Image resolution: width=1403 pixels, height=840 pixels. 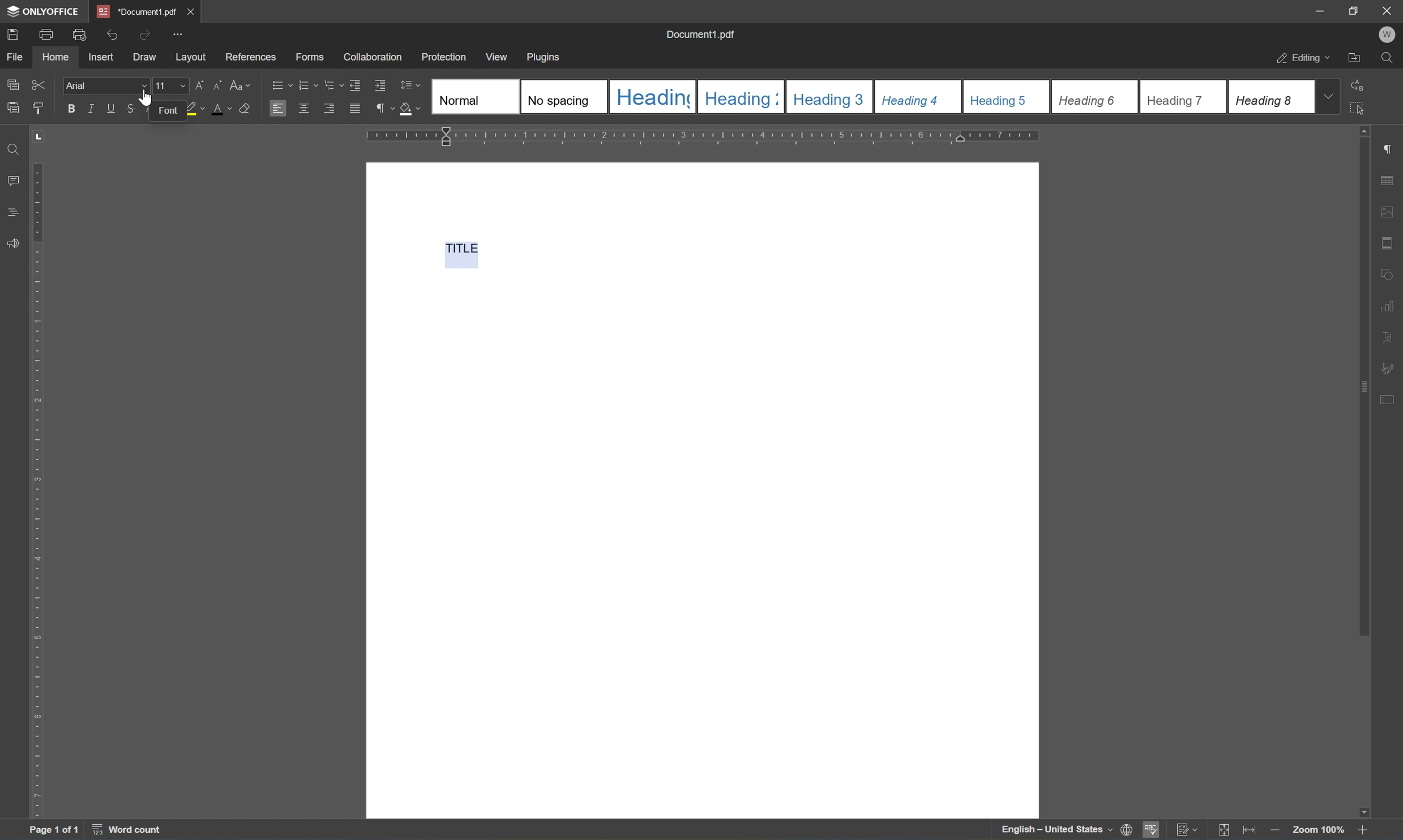 What do you see at coordinates (195, 109) in the screenshot?
I see `highlight color` at bounding box center [195, 109].